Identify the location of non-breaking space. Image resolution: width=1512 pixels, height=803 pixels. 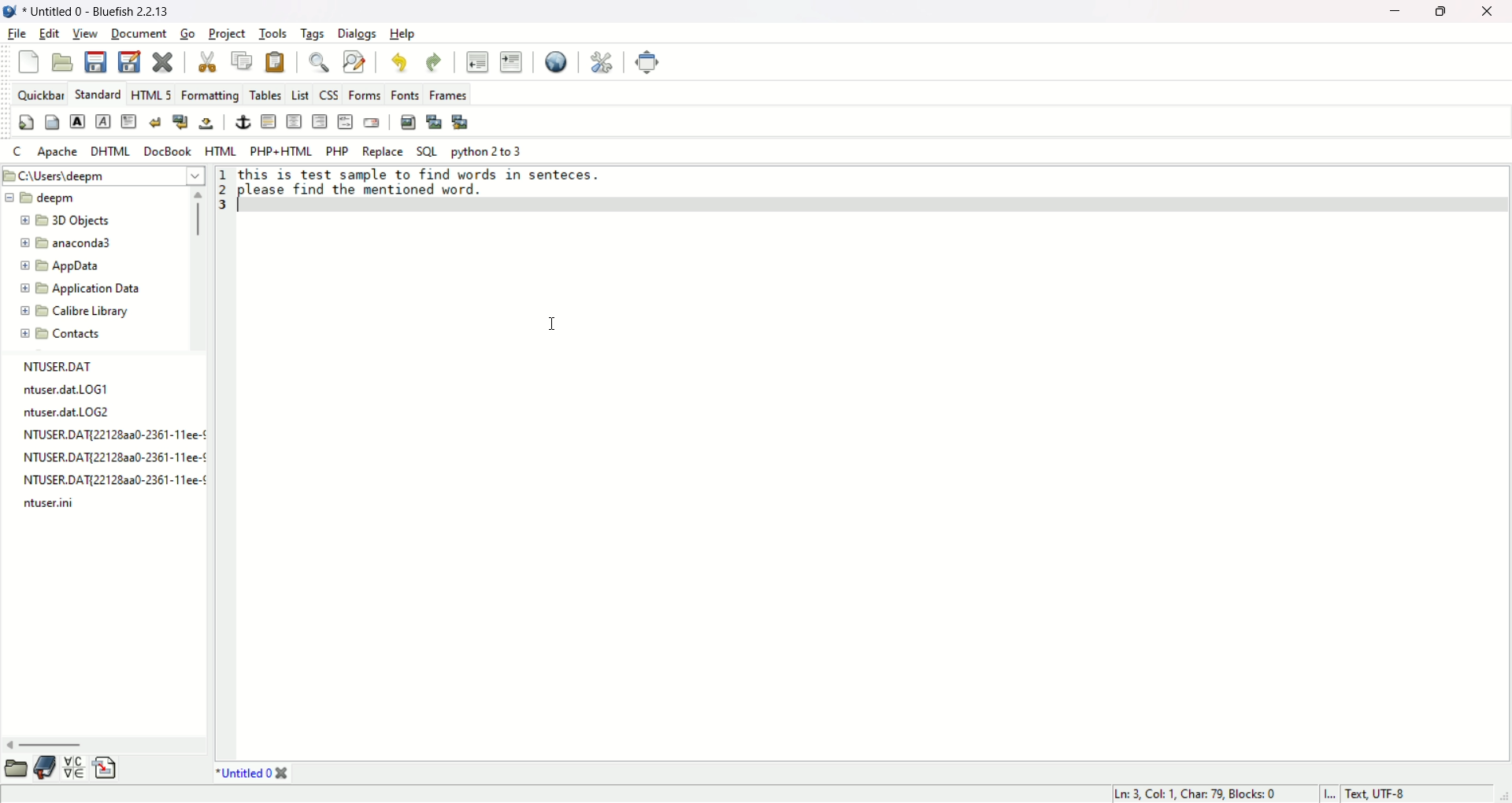
(207, 123).